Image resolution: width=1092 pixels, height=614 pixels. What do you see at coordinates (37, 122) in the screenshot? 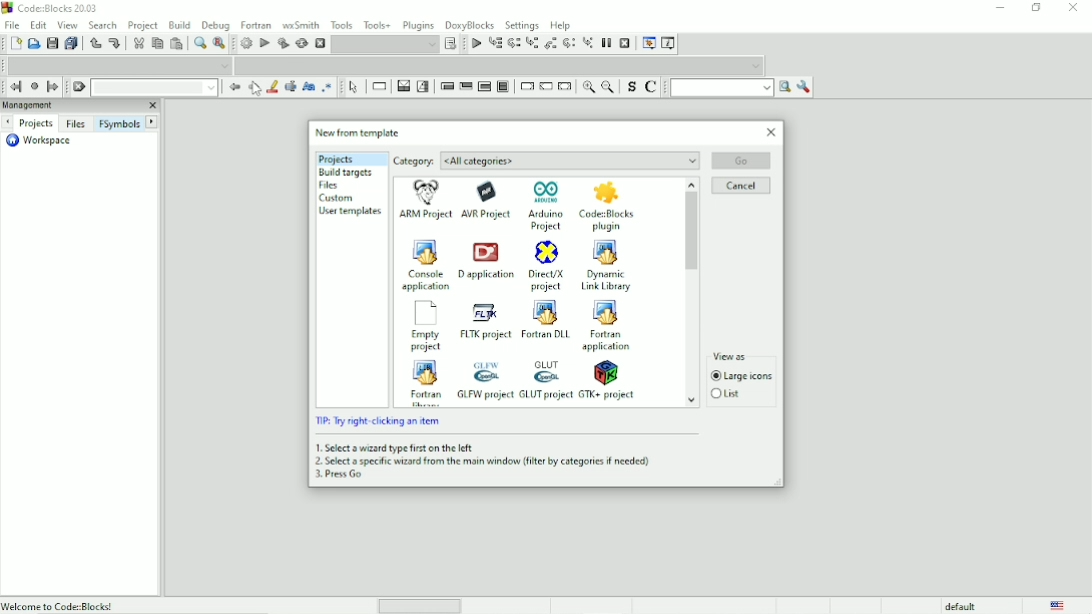
I see `Projects` at bounding box center [37, 122].